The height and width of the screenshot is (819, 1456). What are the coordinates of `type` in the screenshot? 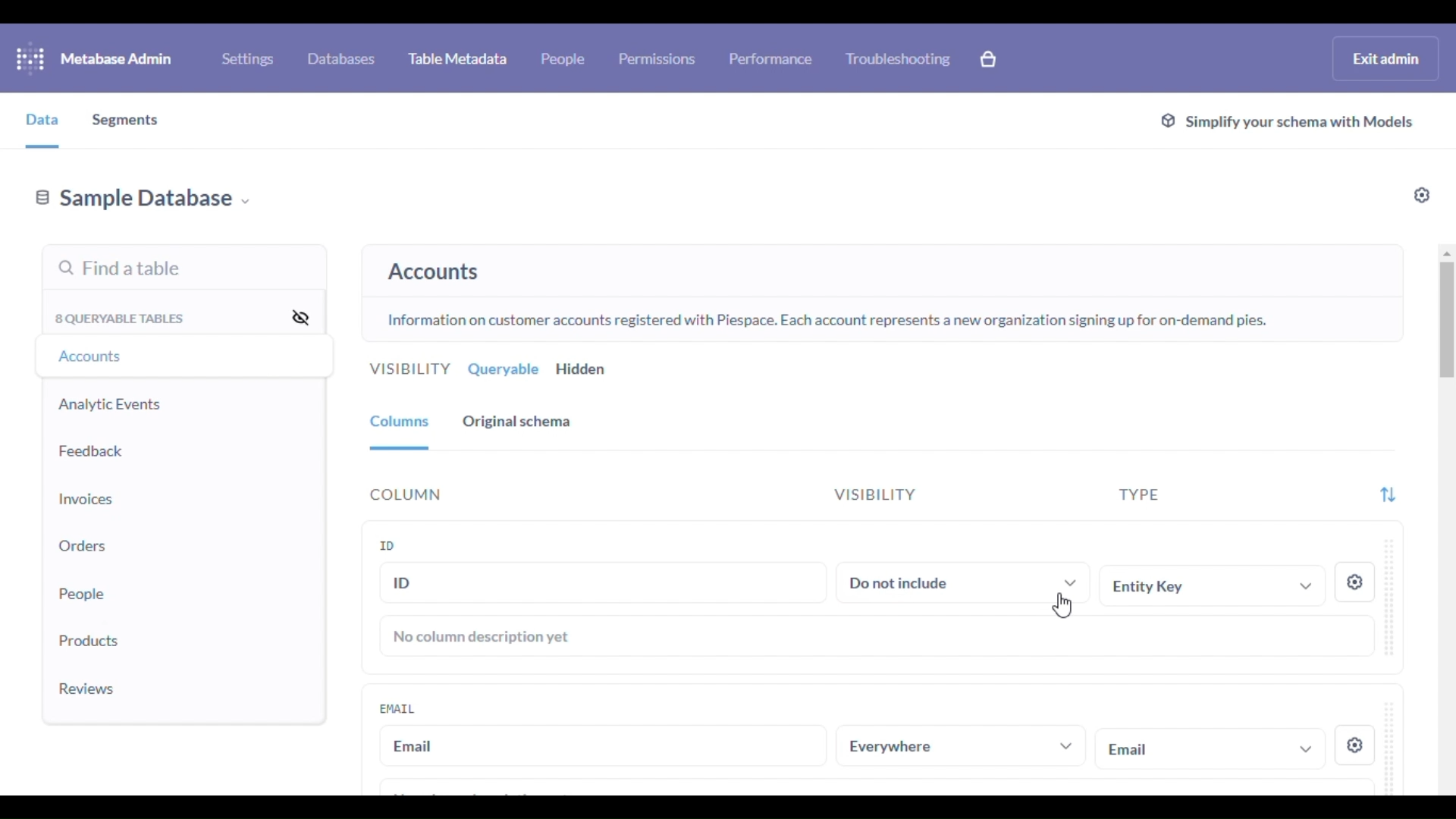 It's located at (1139, 495).